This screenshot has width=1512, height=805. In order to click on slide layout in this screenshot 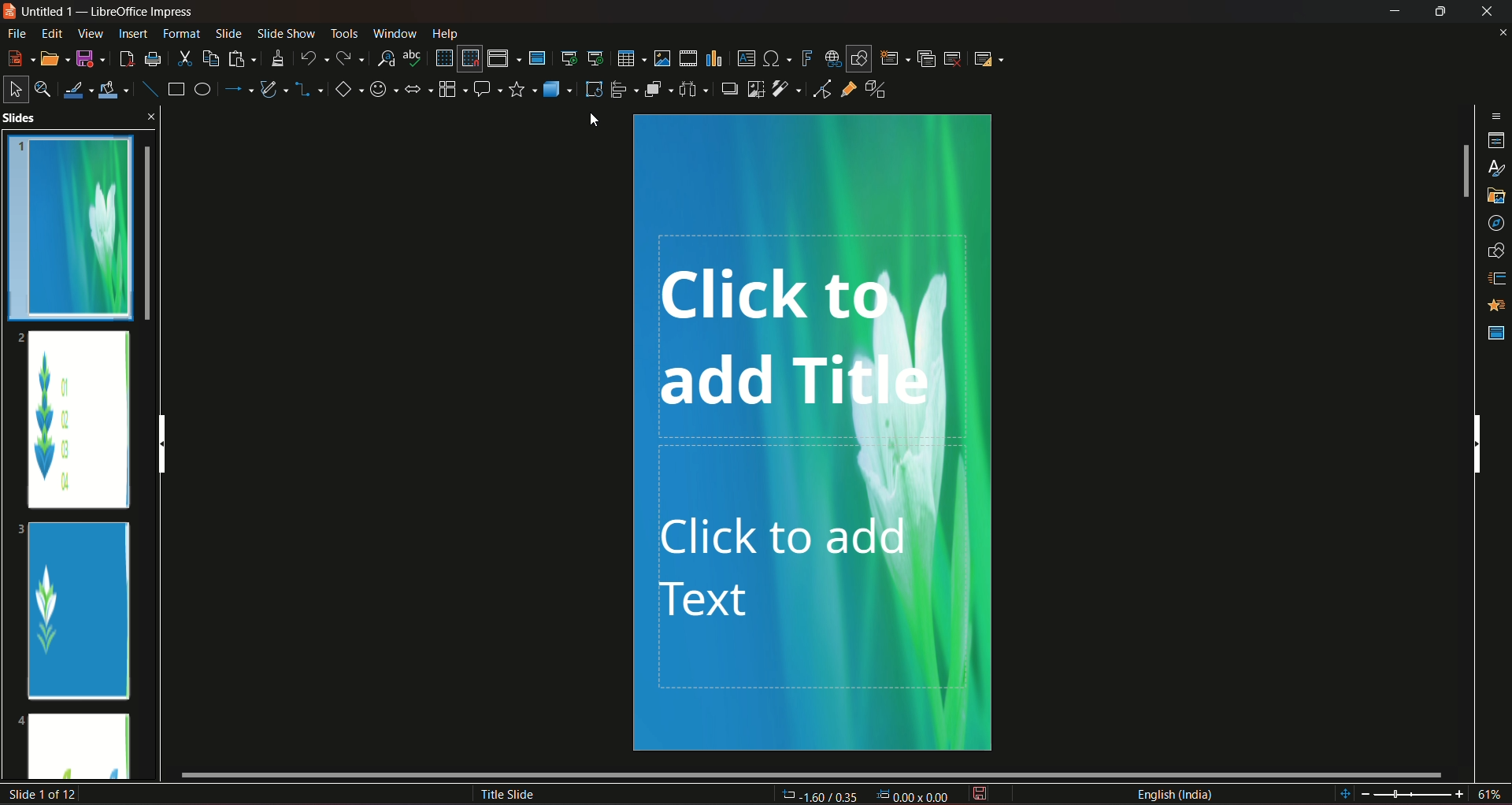, I will do `click(991, 57)`.